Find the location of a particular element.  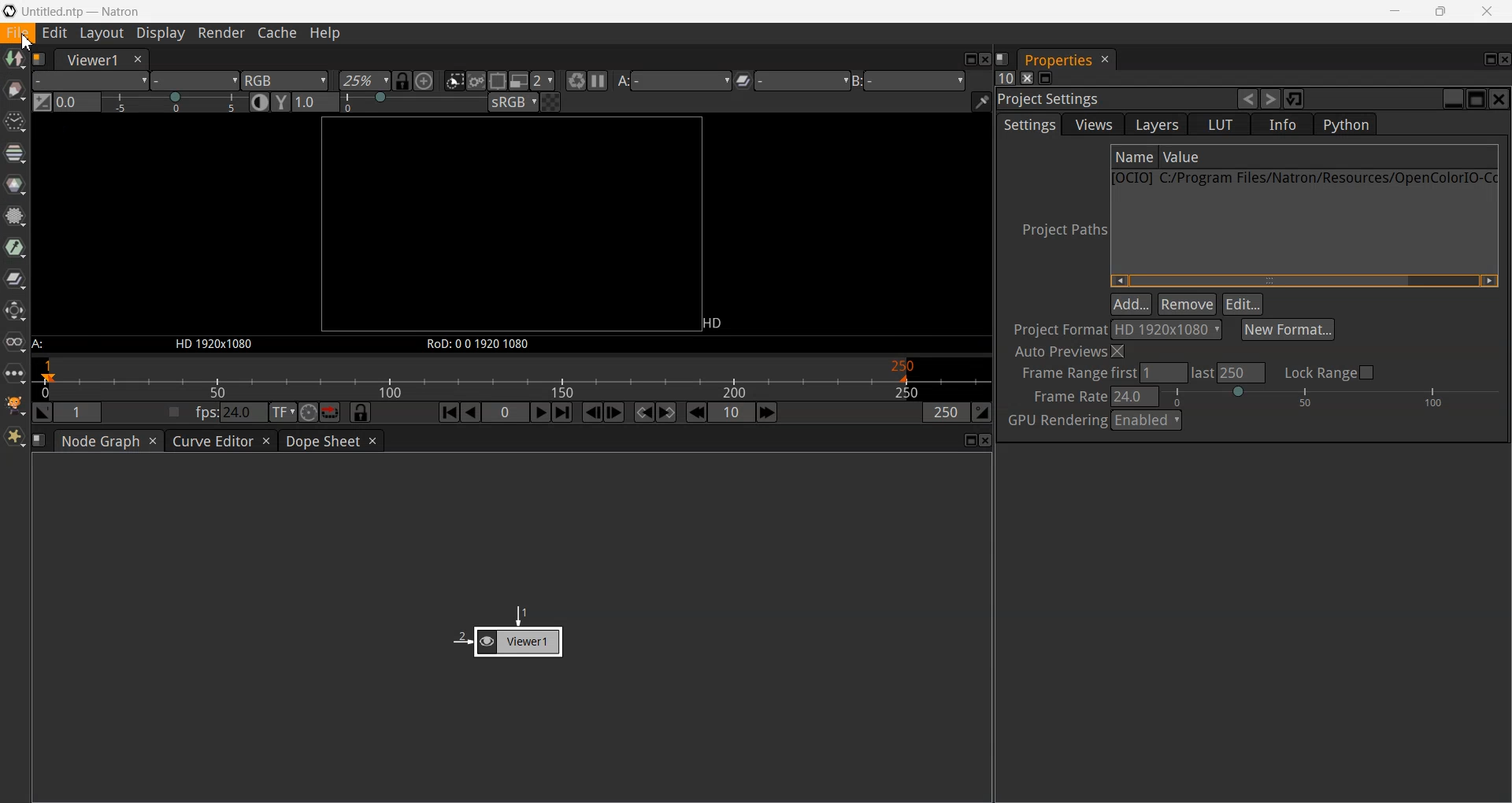

LUT is located at coordinates (1219, 124).